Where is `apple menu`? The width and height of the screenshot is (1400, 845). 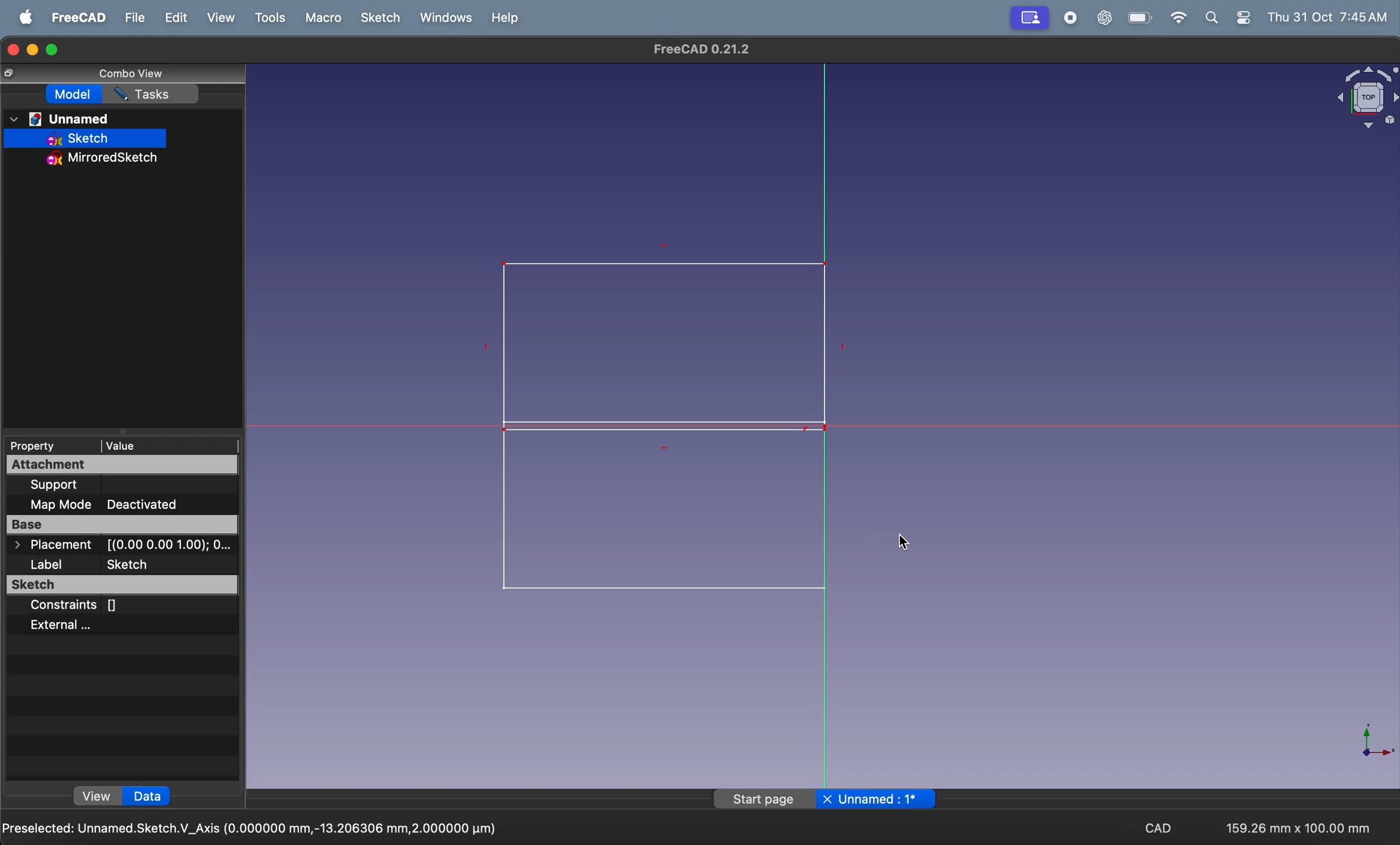
apple menu is located at coordinates (20, 18).